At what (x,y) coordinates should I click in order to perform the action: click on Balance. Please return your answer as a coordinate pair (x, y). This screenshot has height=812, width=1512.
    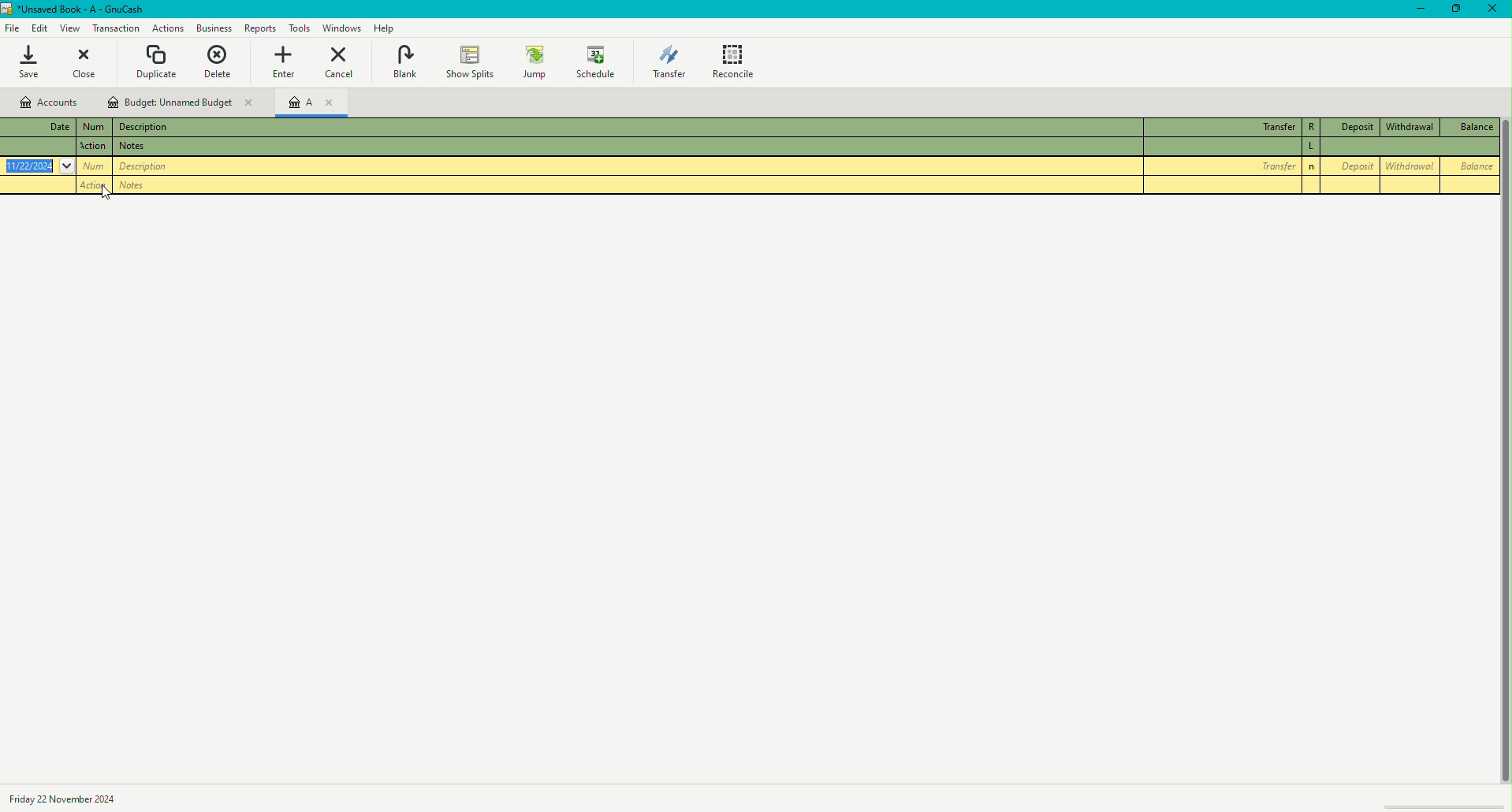
    Looking at the image, I should click on (1469, 168).